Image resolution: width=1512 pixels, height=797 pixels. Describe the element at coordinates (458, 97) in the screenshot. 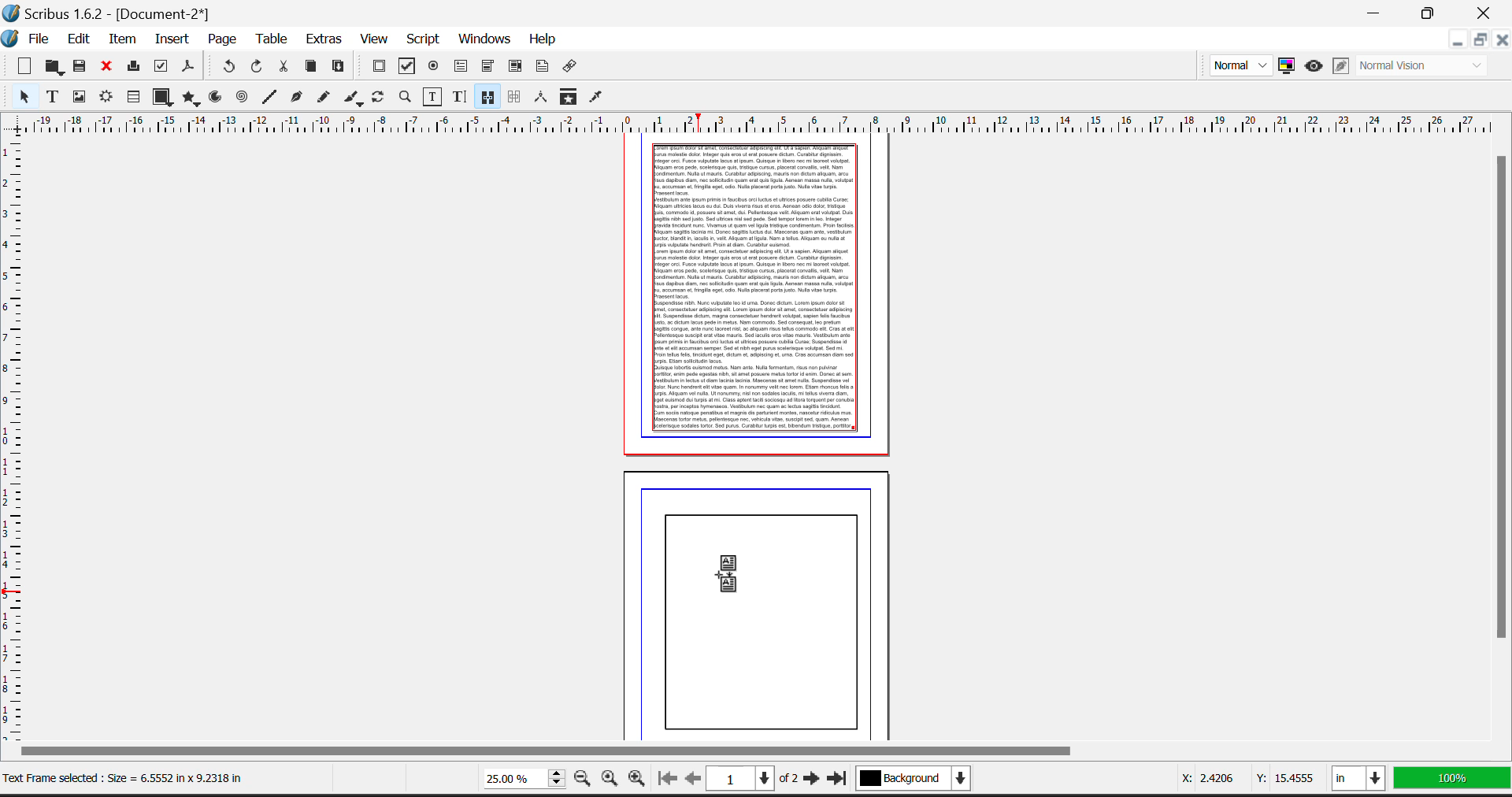

I see `Edit Text with Story Editor` at that location.